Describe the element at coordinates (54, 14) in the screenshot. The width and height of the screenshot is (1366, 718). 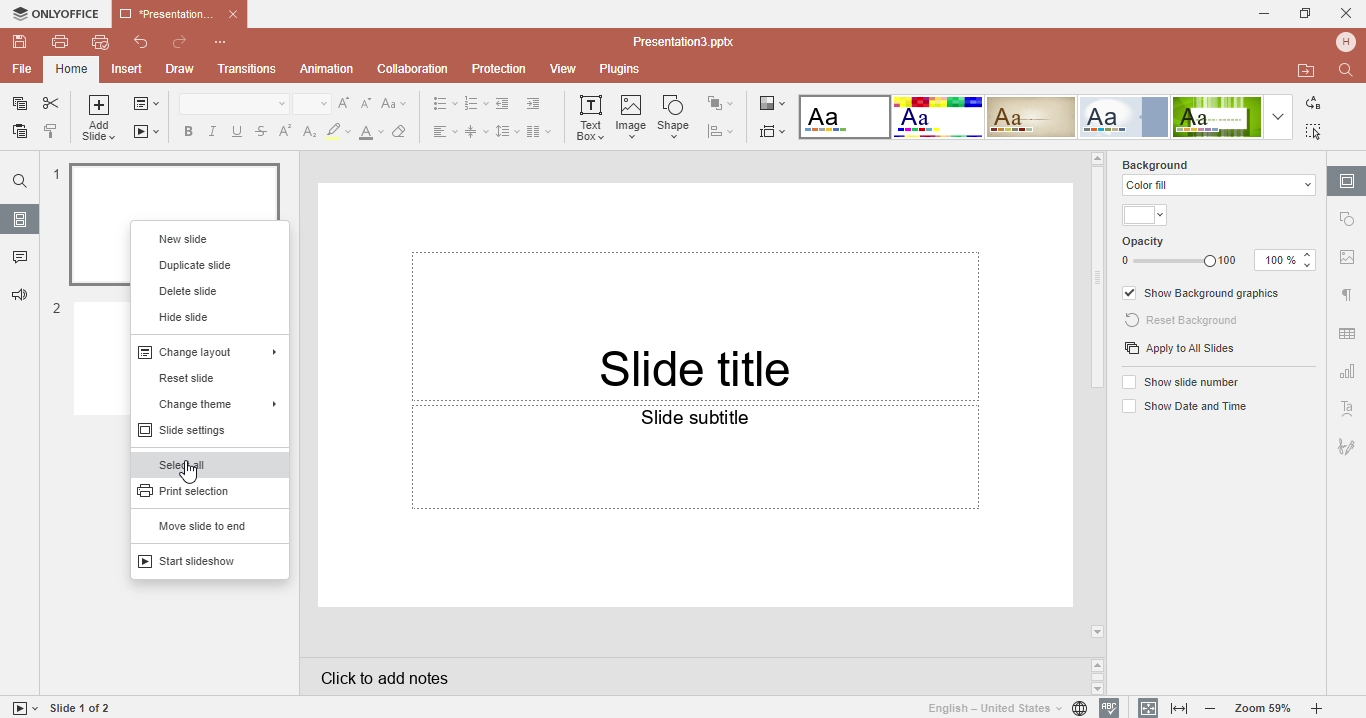
I see `Only office` at that location.